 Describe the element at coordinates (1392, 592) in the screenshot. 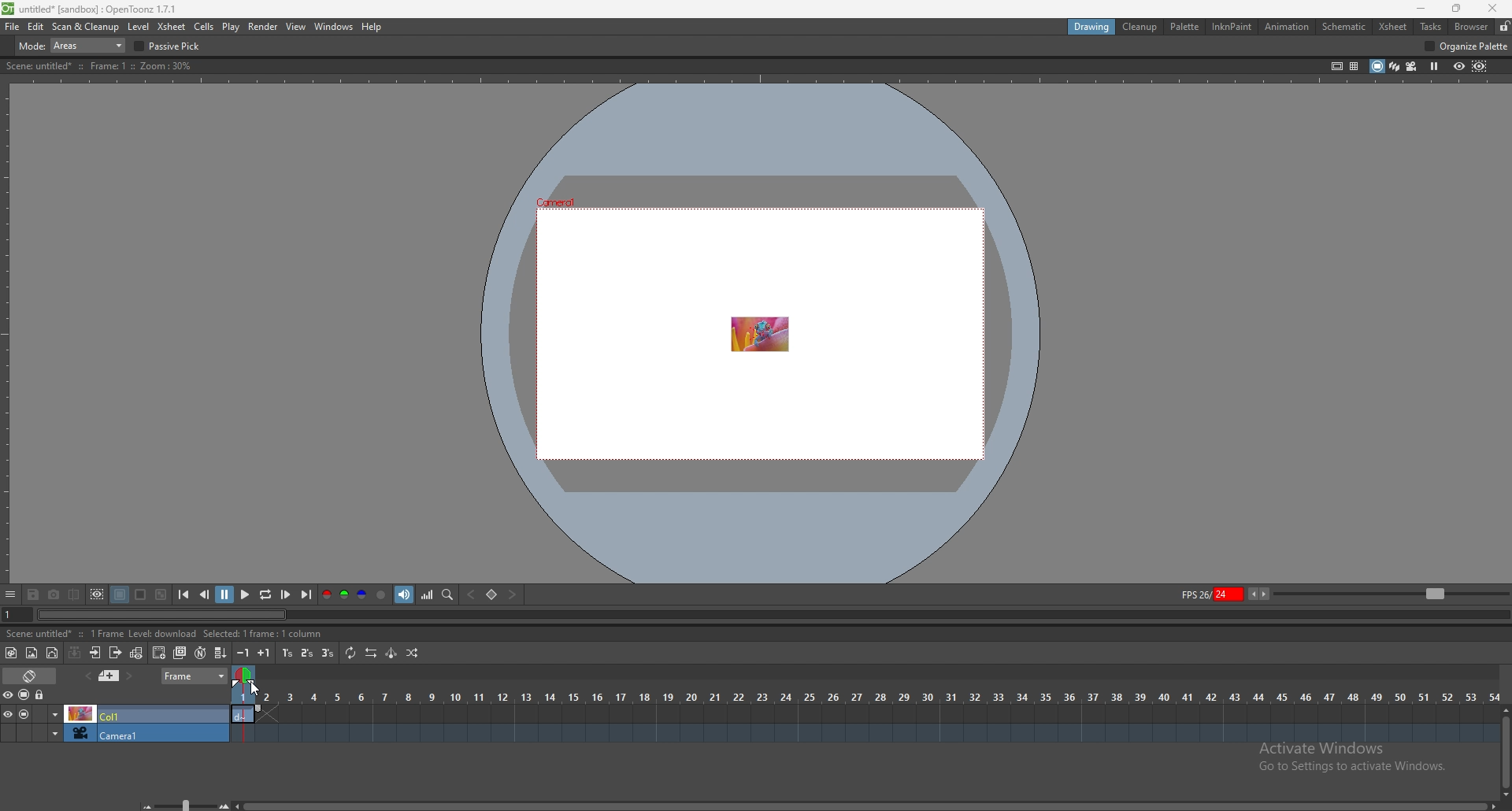

I see `zoom` at that location.